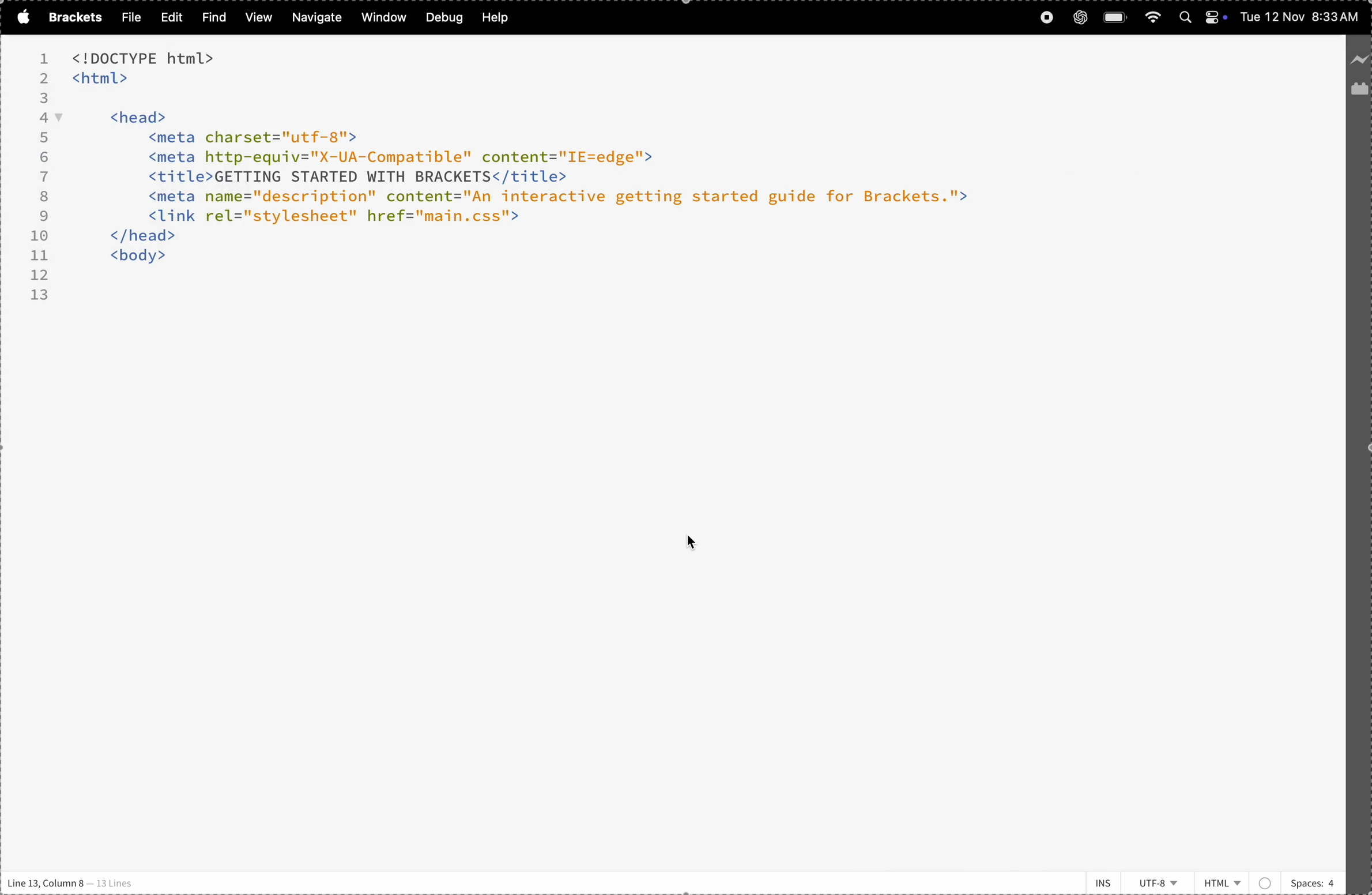 The height and width of the screenshot is (895, 1372). Describe the element at coordinates (1359, 92) in the screenshot. I see `extension manager` at that location.